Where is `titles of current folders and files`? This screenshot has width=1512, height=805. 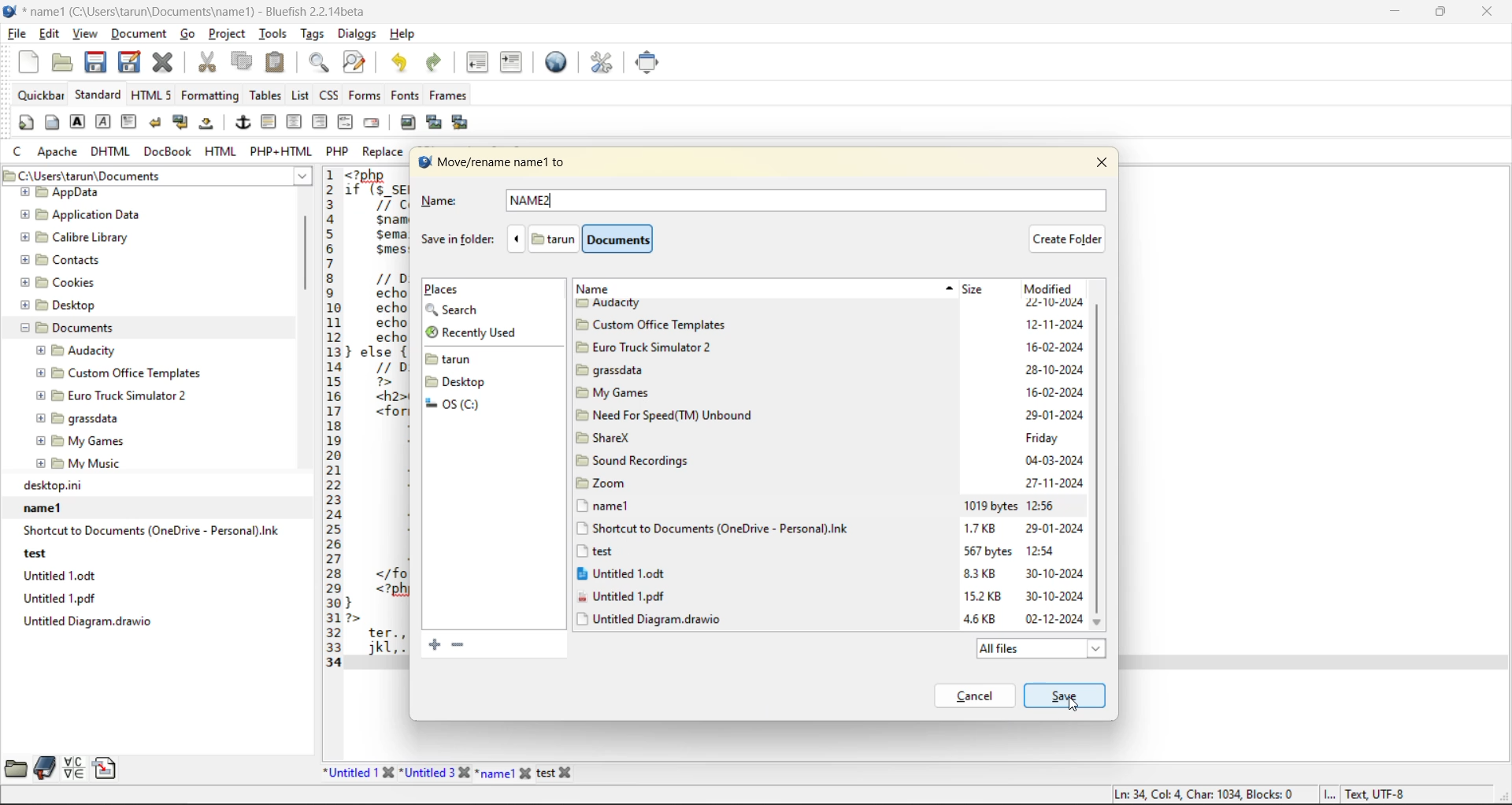 titles of current folders and files is located at coordinates (742, 465).